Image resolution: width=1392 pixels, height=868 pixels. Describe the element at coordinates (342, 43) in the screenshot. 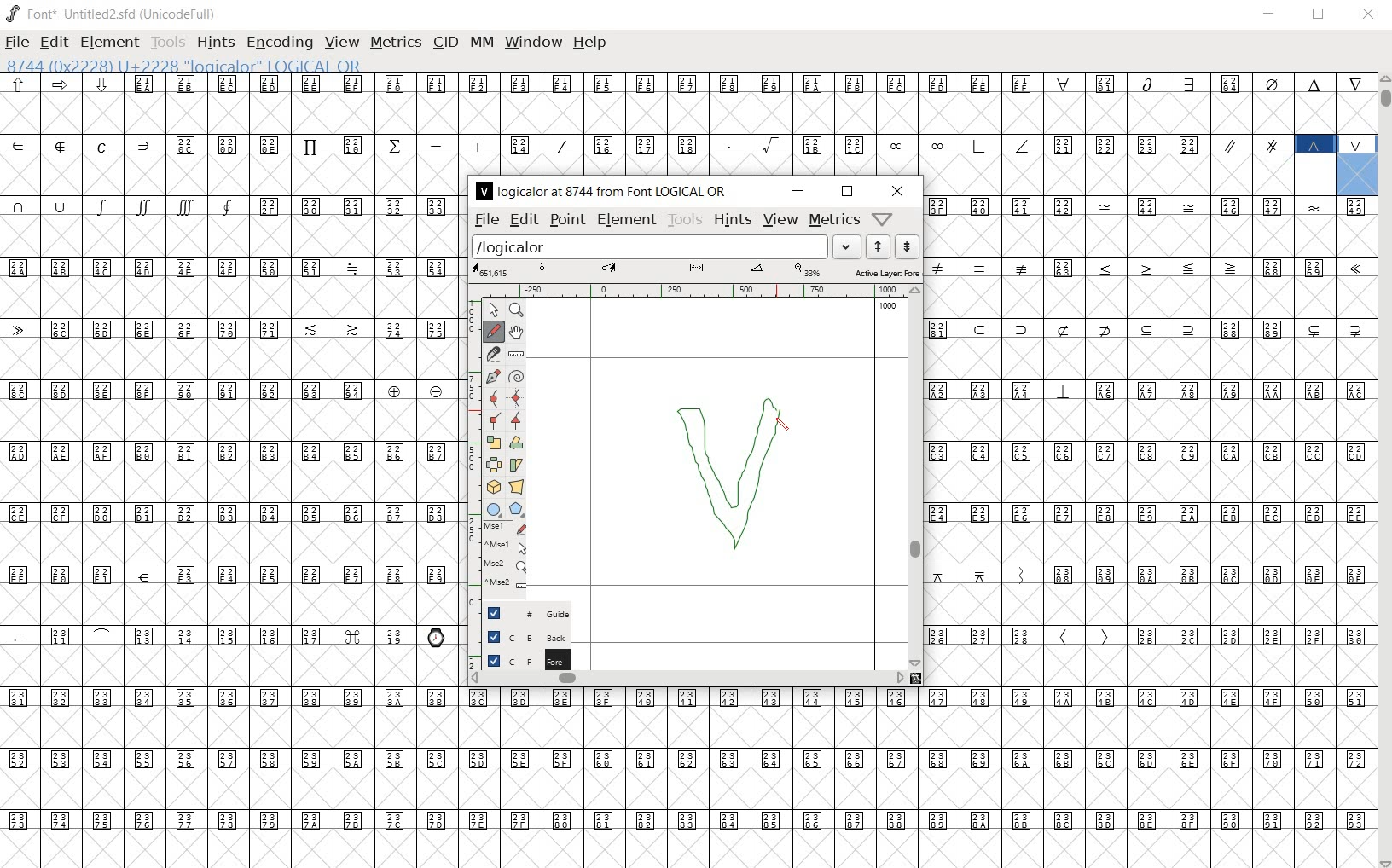

I see `view` at that location.